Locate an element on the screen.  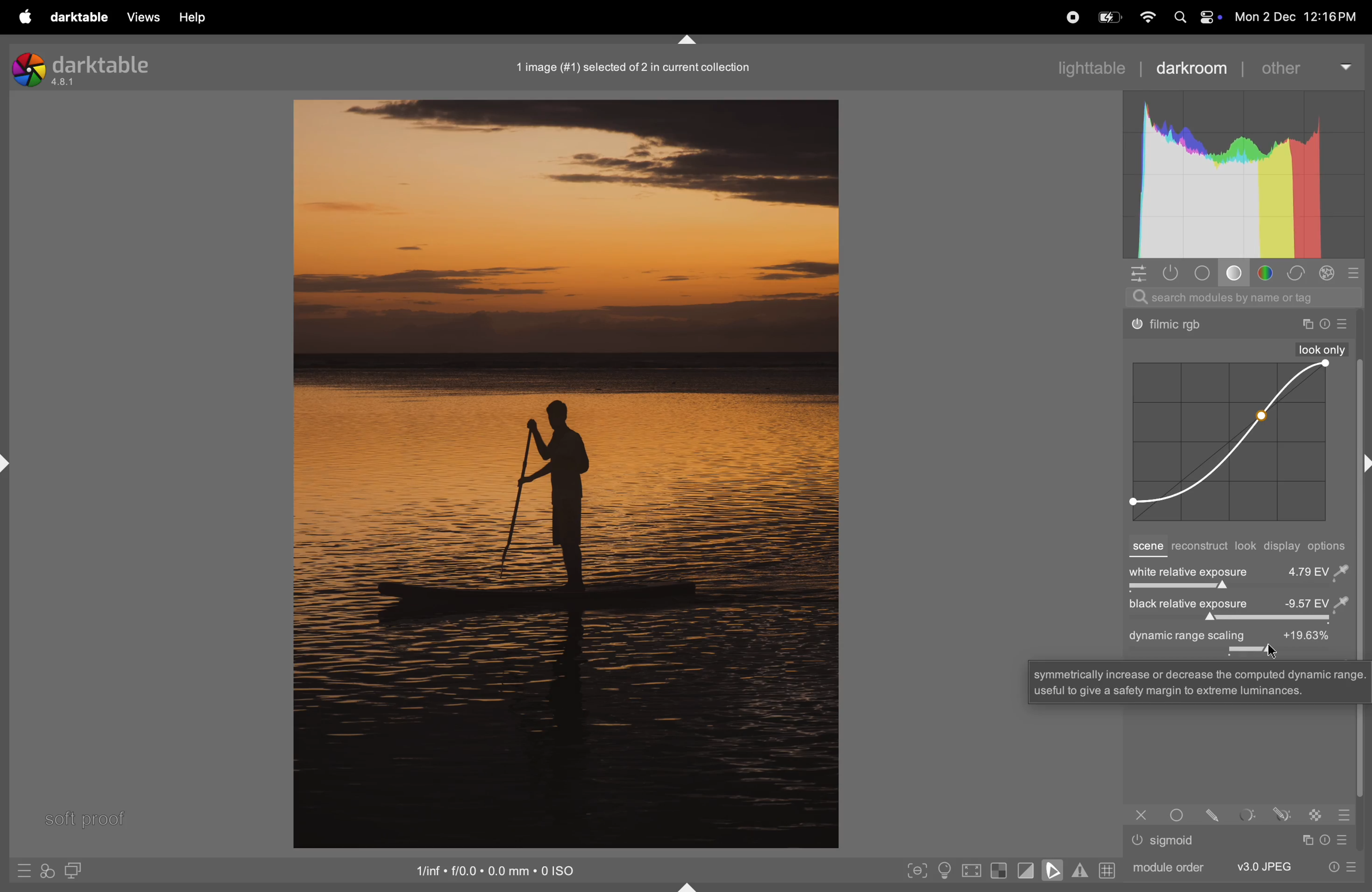
 is located at coordinates (1282, 814).